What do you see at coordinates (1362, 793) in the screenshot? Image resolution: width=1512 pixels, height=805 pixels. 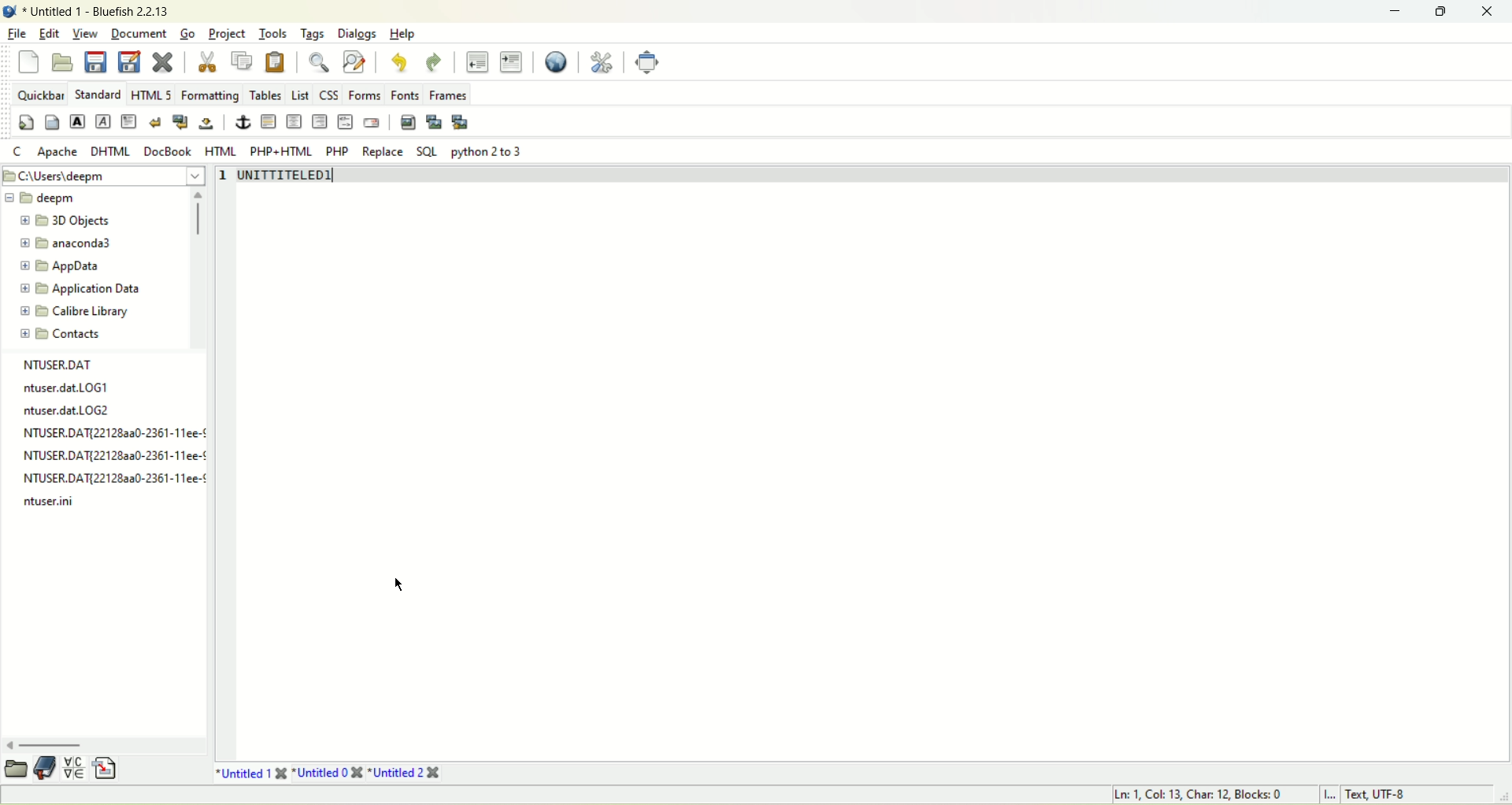 I see `L Text UTF-8` at bounding box center [1362, 793].